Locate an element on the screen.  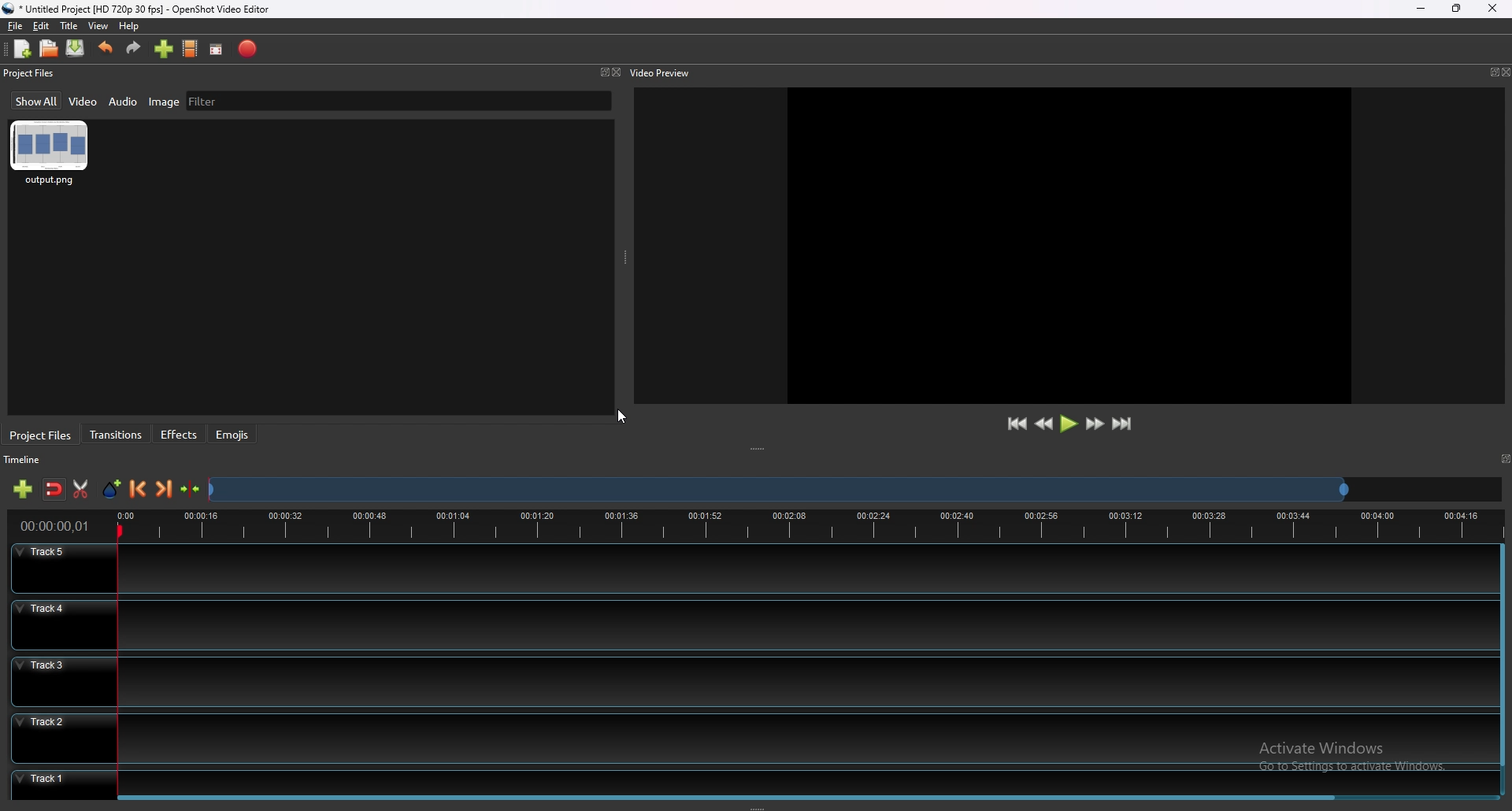
track 4 is located at coordinates (749, 624).